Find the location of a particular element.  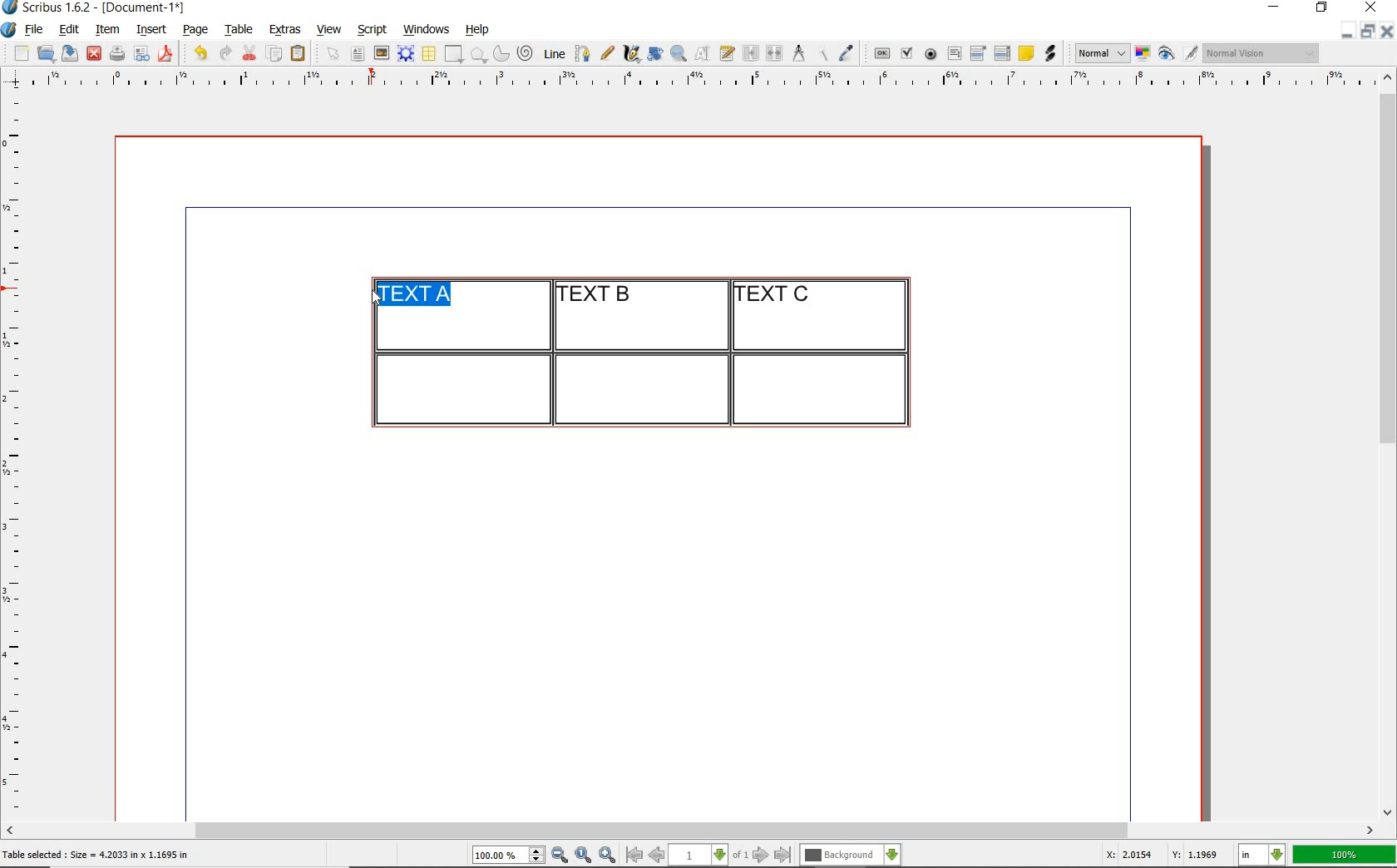

close is located at coordinates (1374, 7).